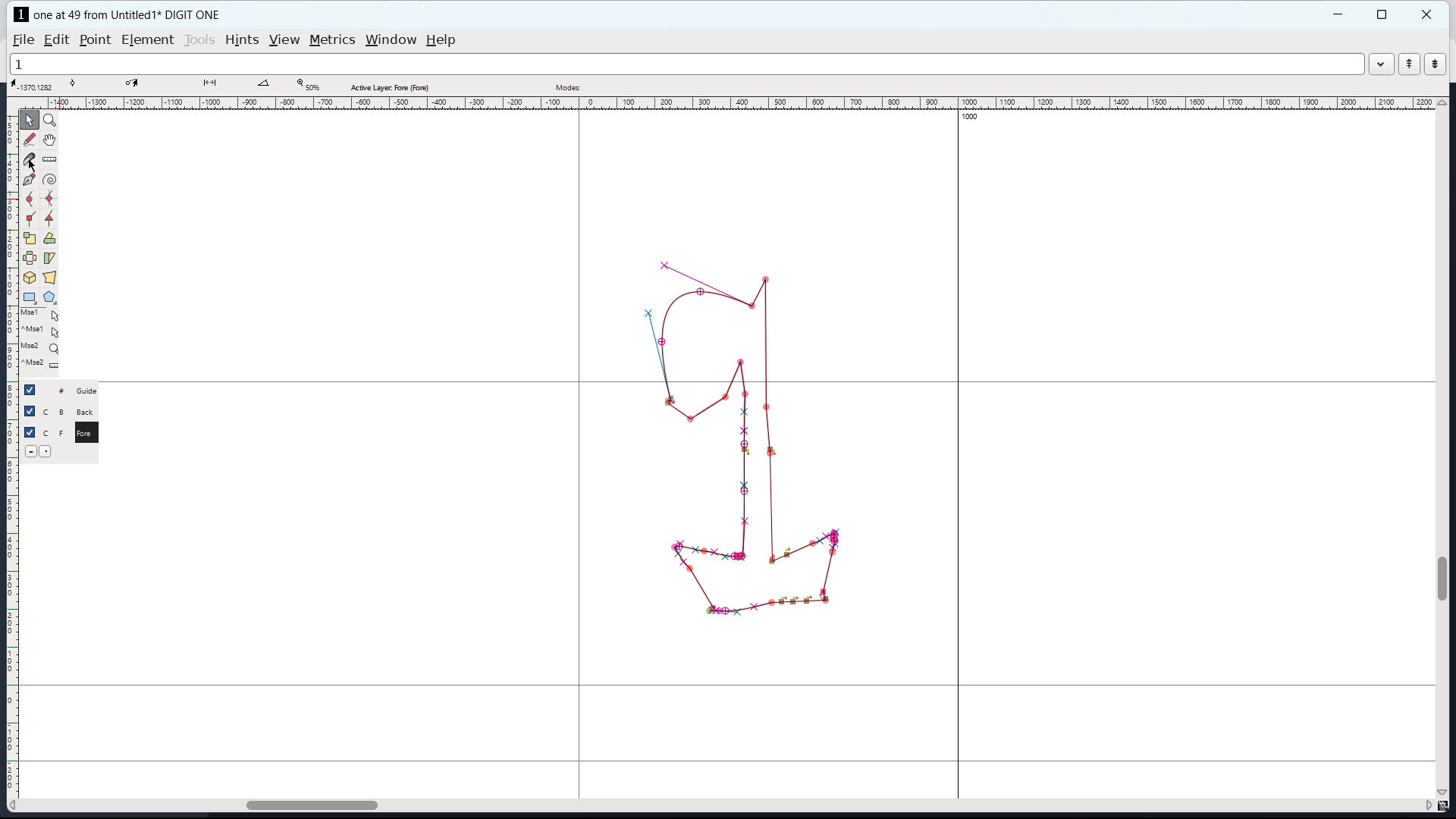 The height and width of the screenshot is (819, 1456). What do you see at coordinates (55, 391) in the screenshot?
I see `#` at bounding box center [55, 391].